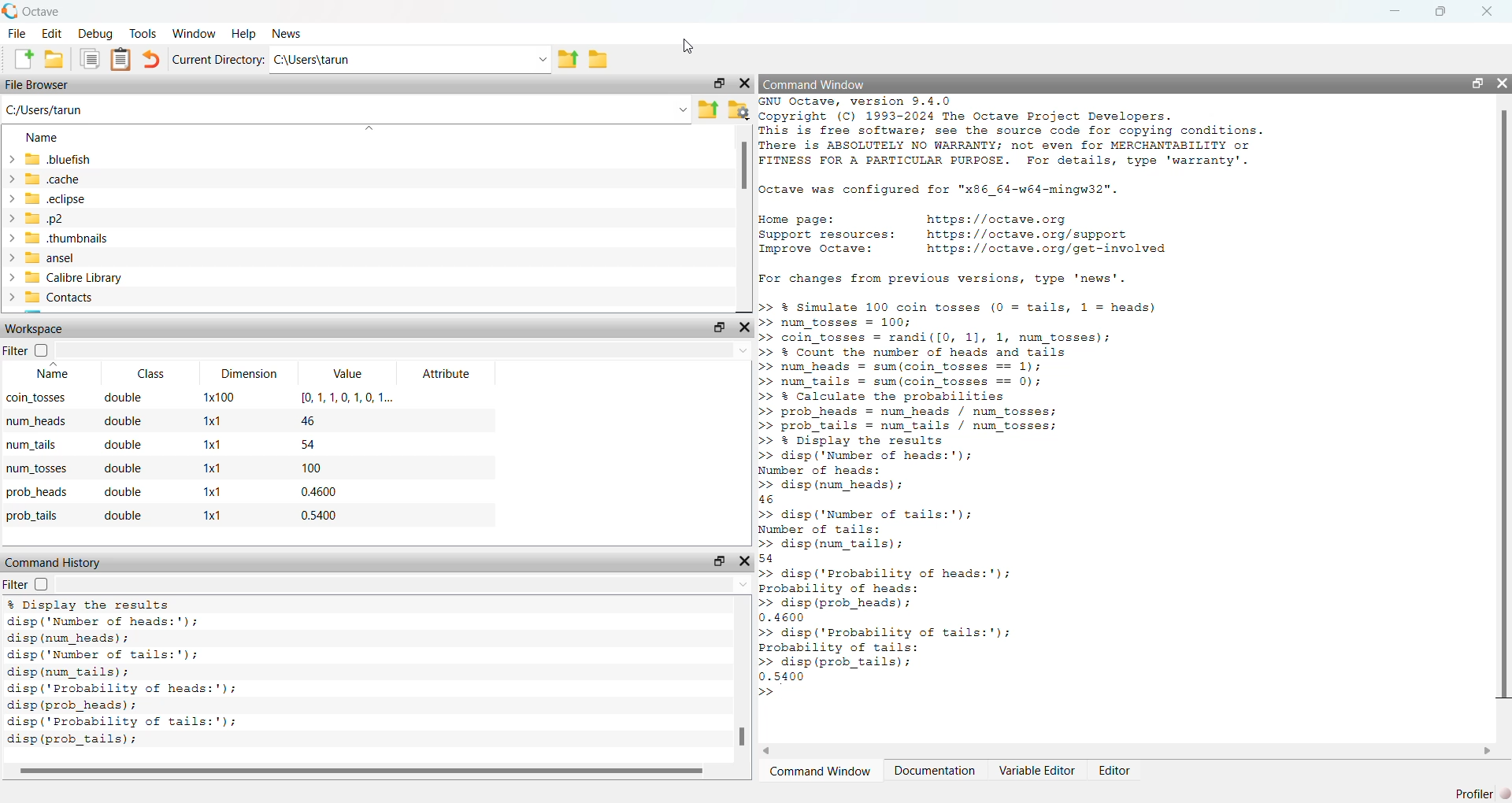  What do you see at coordinates (35, 398) in the screenshot?
I see `coin_tosses` at bounding box center [35, 398].